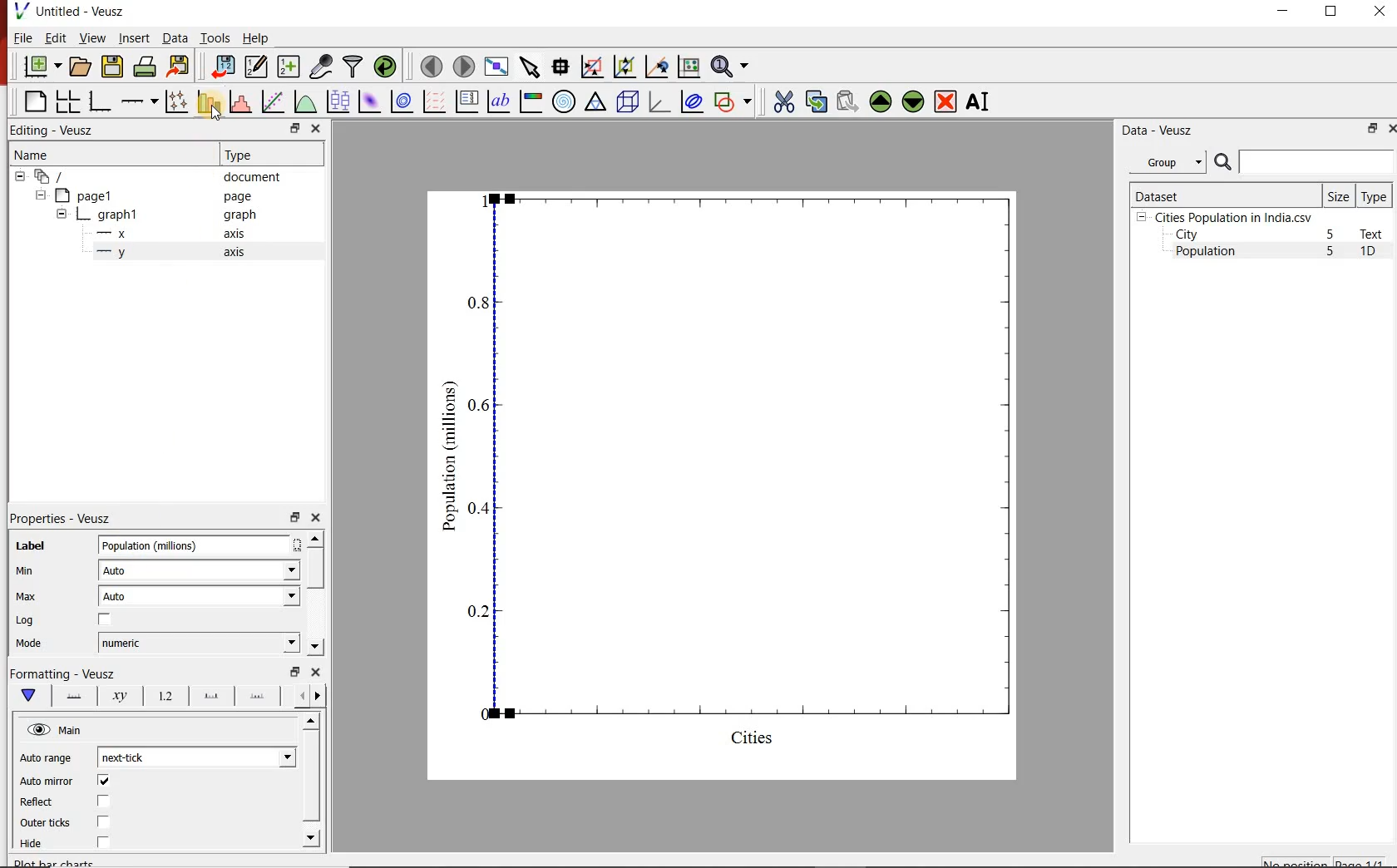  What do you see at coordinates (400, 101) in the screenshot?
I see `plot a 2d dataset as contours` at bounding box center [400, 101].